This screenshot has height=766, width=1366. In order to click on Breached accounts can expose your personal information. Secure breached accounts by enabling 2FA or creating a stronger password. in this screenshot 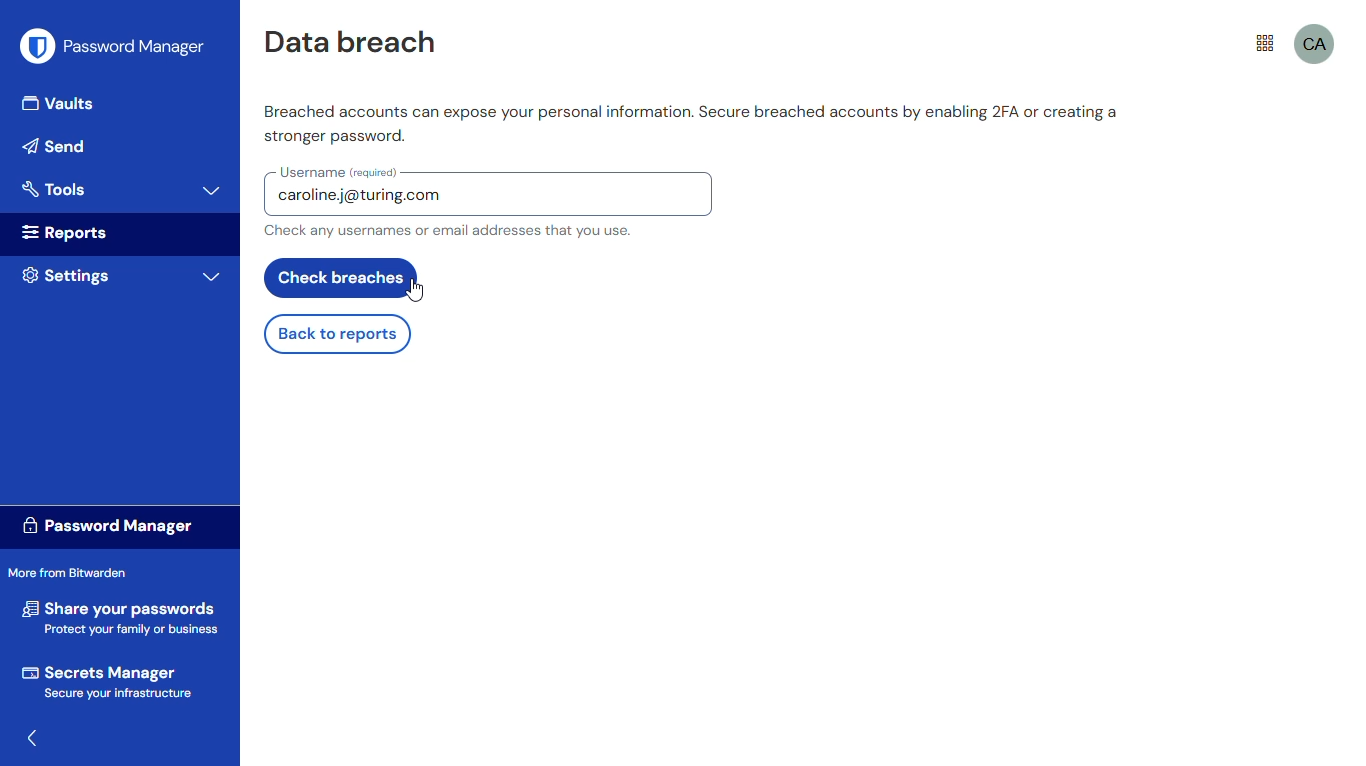, I will do `click(690, 125)`.